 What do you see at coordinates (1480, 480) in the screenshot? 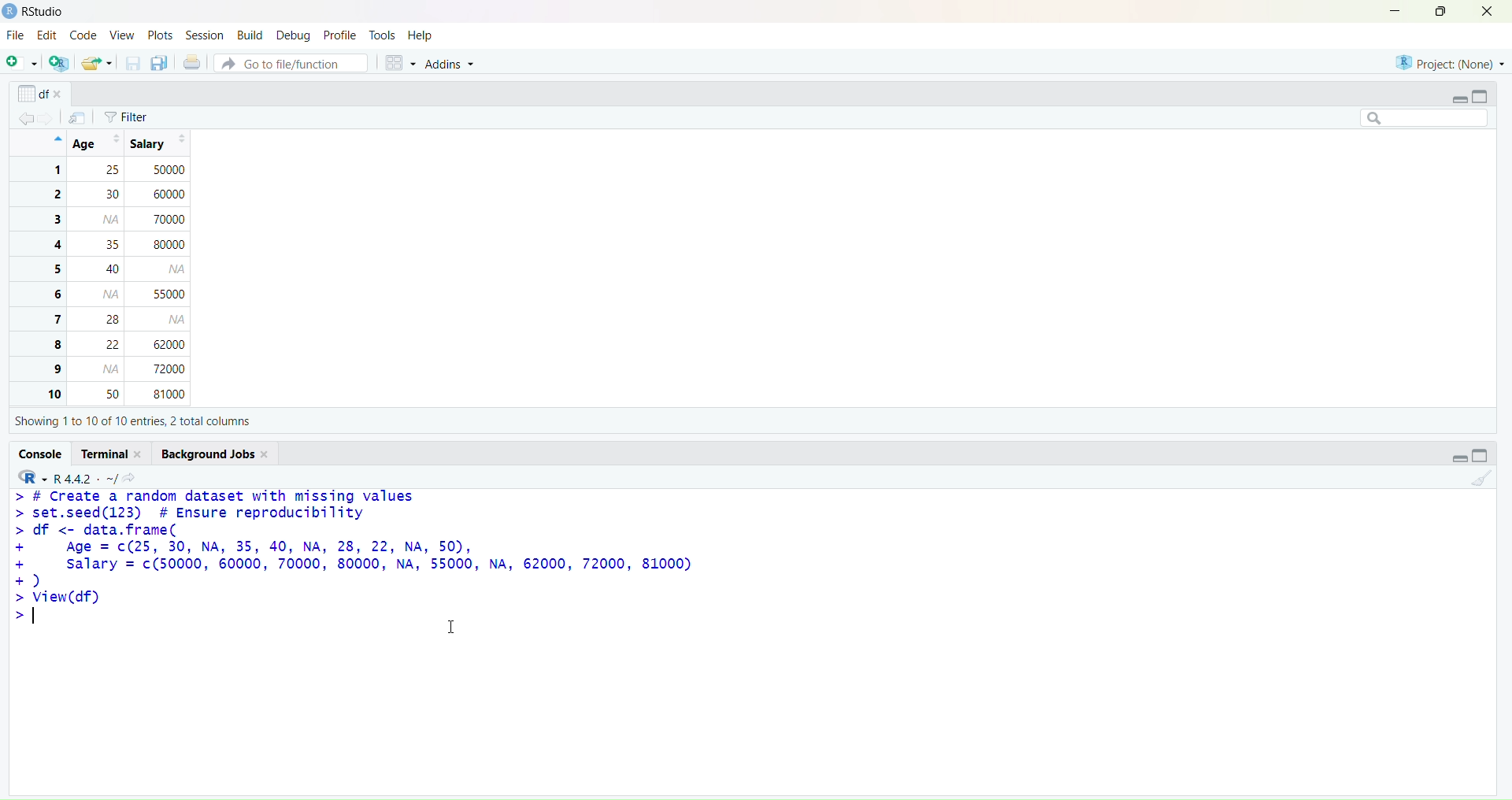
I see `clear console ` at bounding box center [1480, 480].